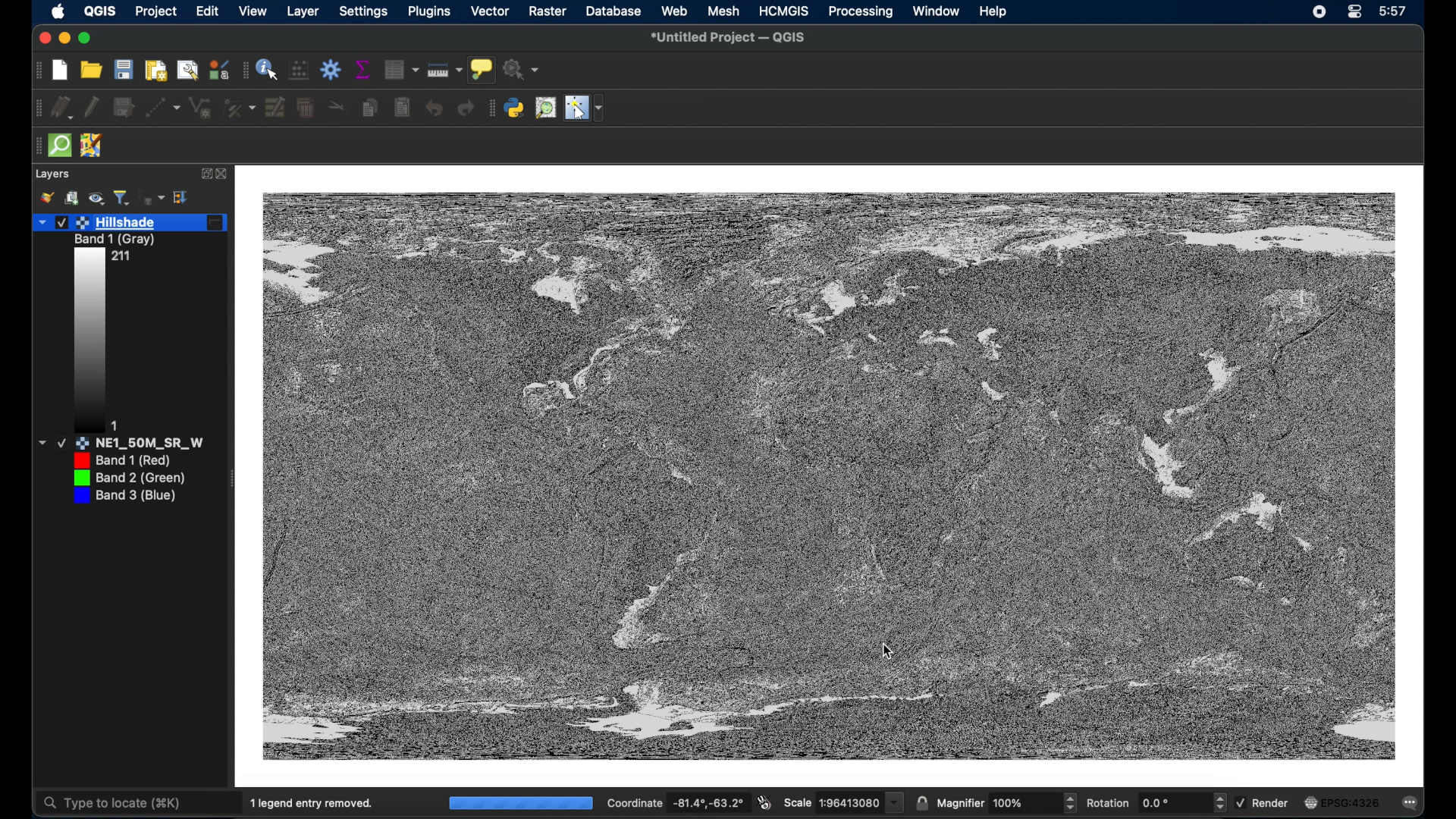  I want to click on , so click(402, 69).